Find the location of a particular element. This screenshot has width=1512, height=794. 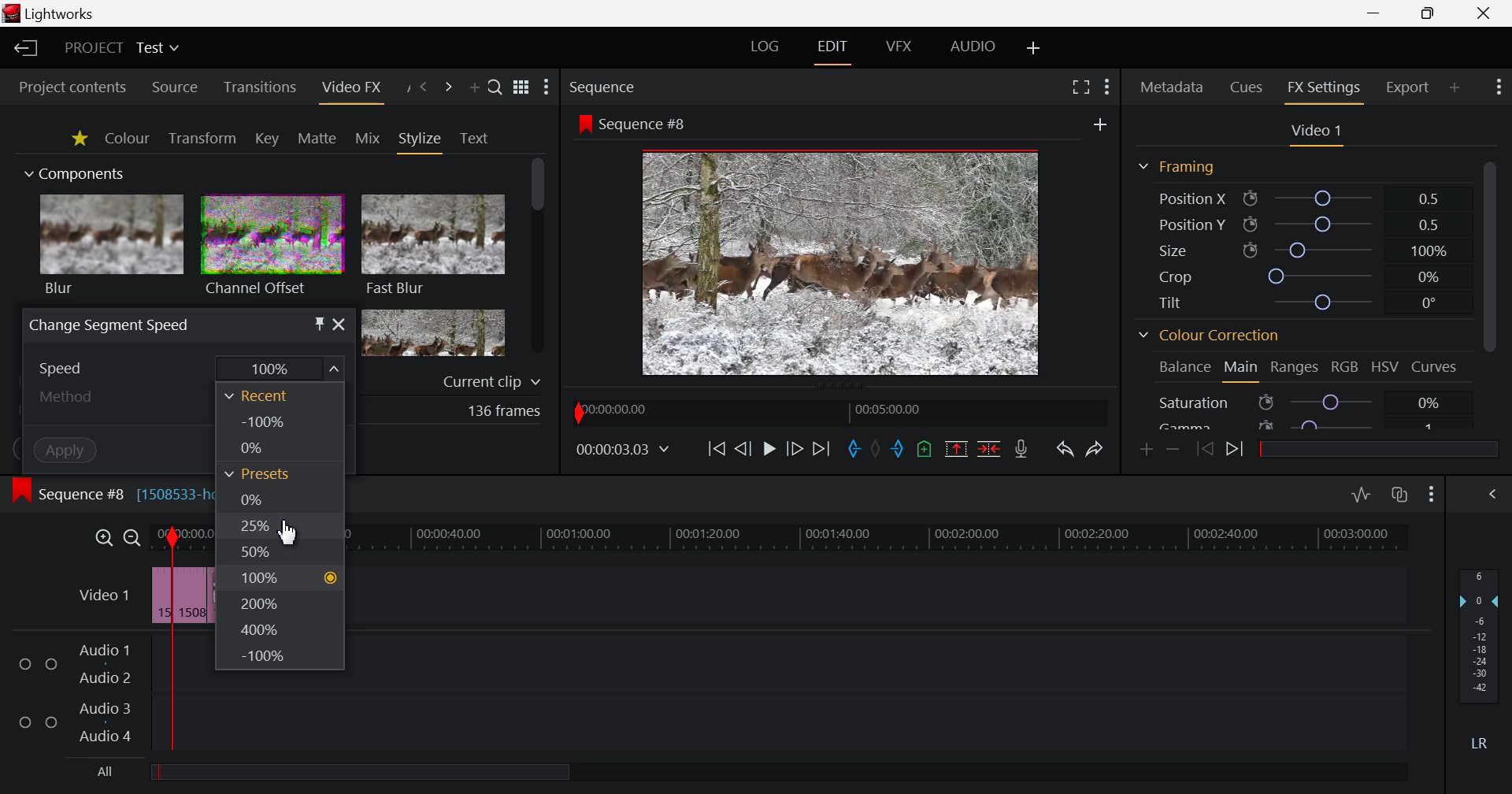

FX Settings is located at coordinates (1323, 90).